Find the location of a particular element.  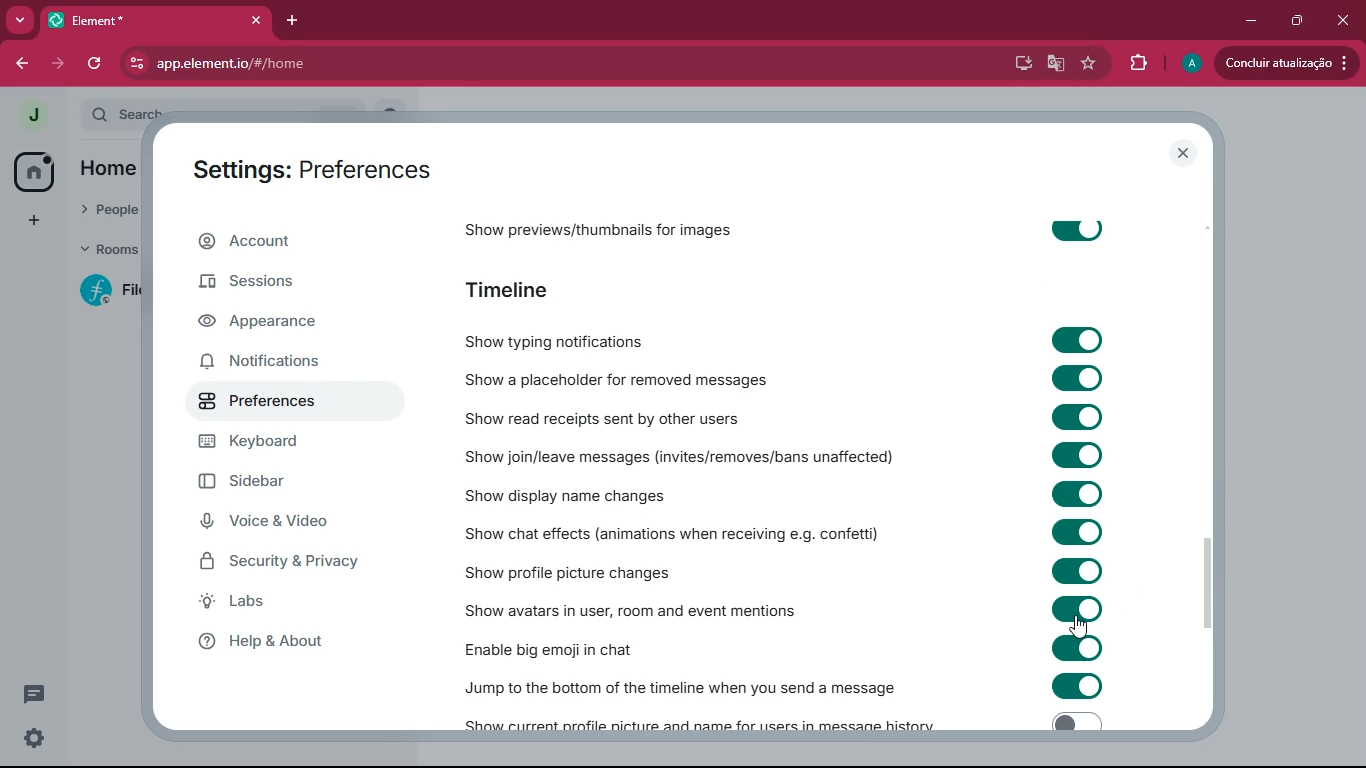

toggle on  is located at coordinates (1076, 607).